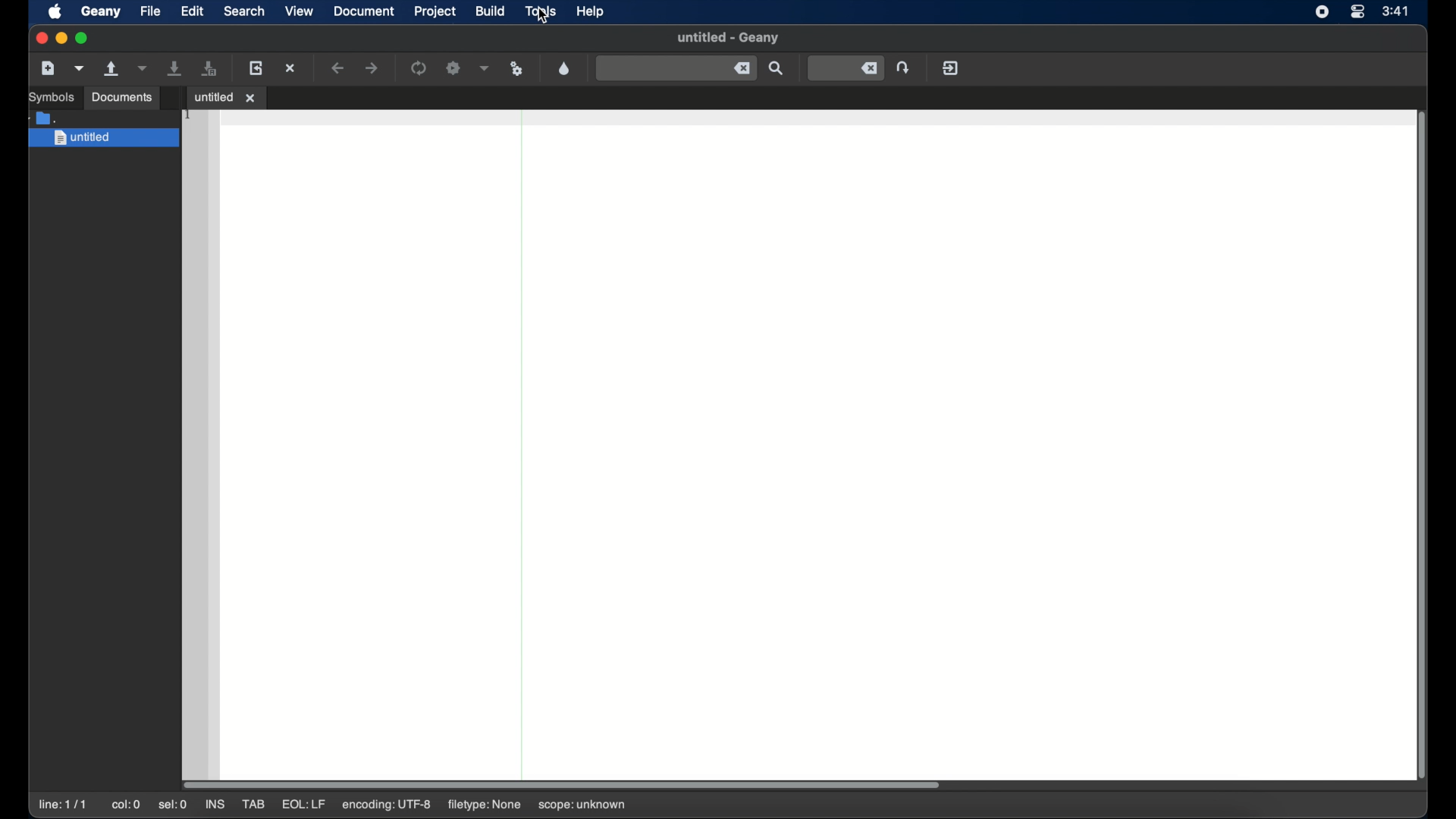 The height and width of the screenshot is (819, 1456). I want to click on col: 0, so click(126, 805).